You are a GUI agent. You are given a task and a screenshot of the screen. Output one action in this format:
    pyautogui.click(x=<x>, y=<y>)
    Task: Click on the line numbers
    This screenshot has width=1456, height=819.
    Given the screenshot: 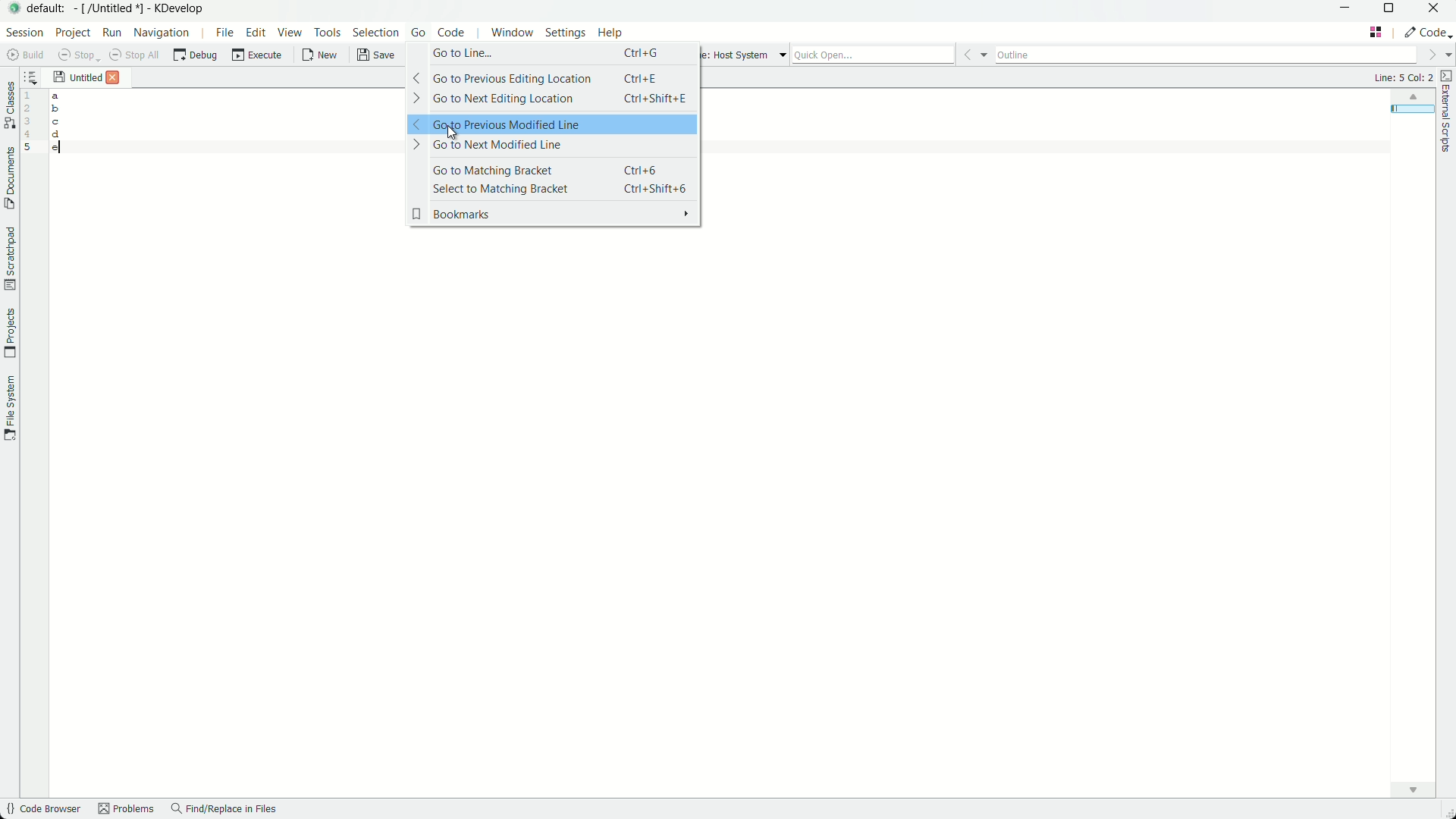 What is the action you would take?
    pyautogui.click(x=28, y=120)
    